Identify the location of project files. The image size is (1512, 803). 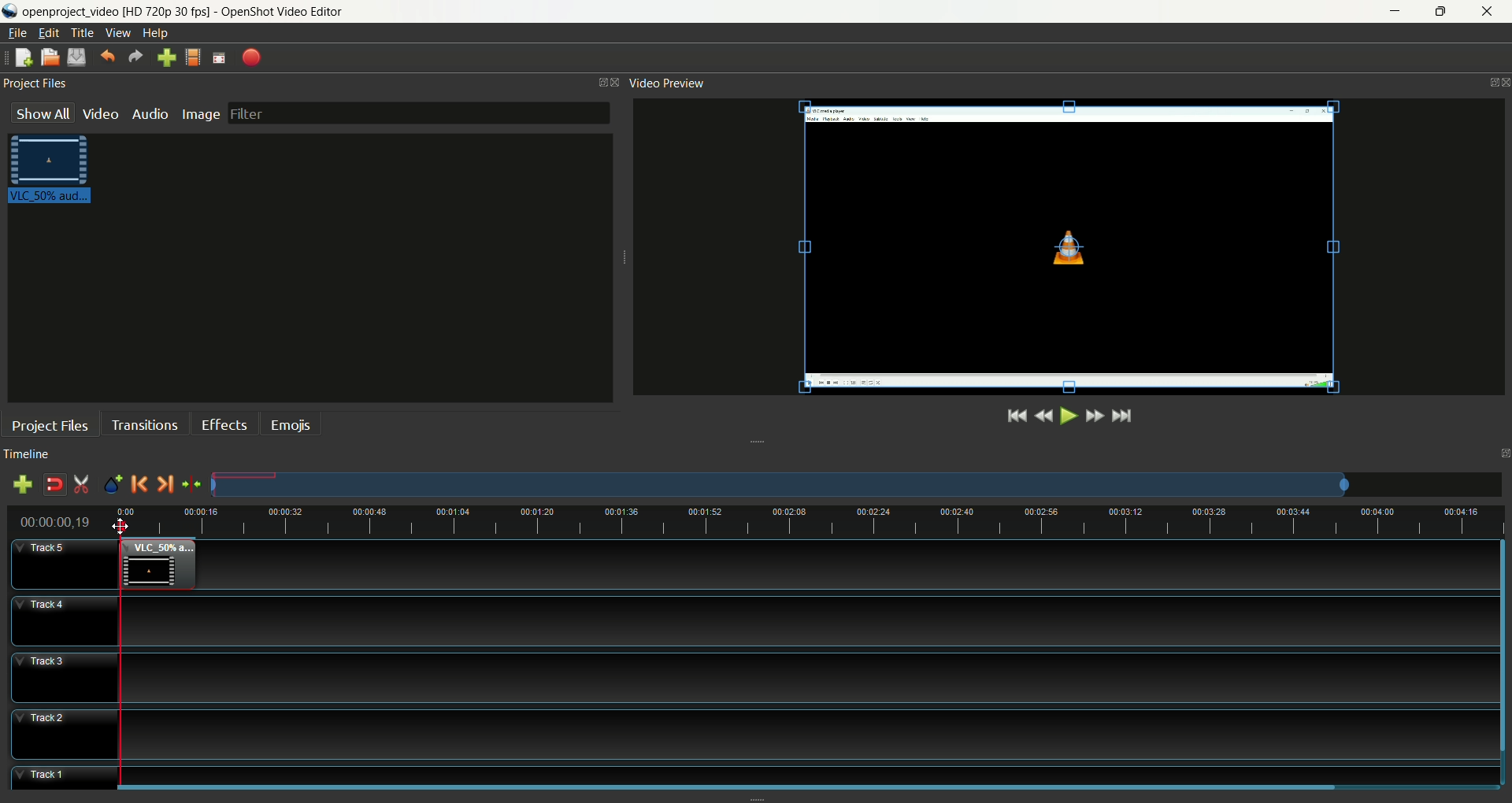
(35, 81).